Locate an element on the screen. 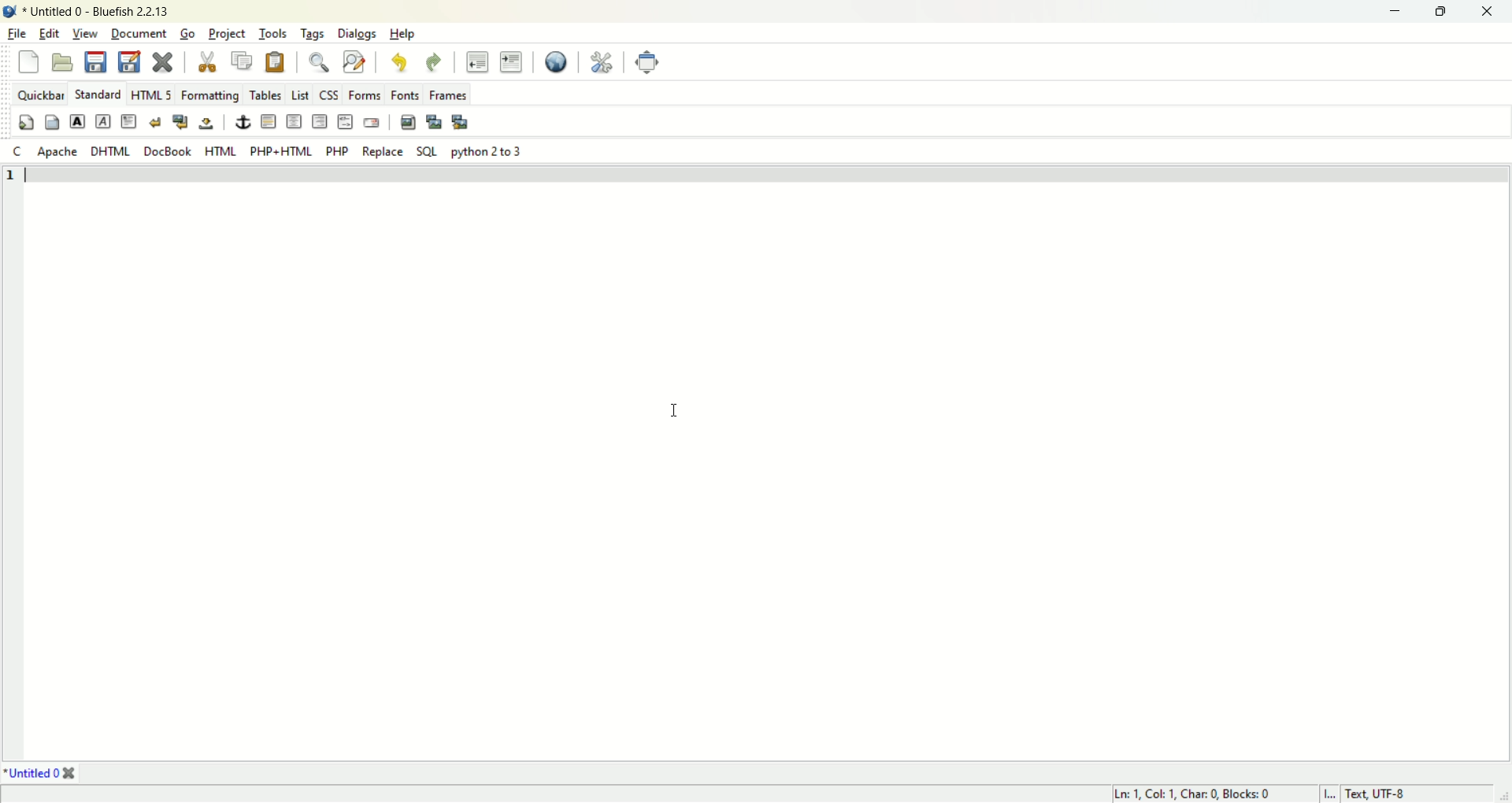 Image resolution: width=1512 pixels, height=803 pixels. project is located at coordinates (225, 35).